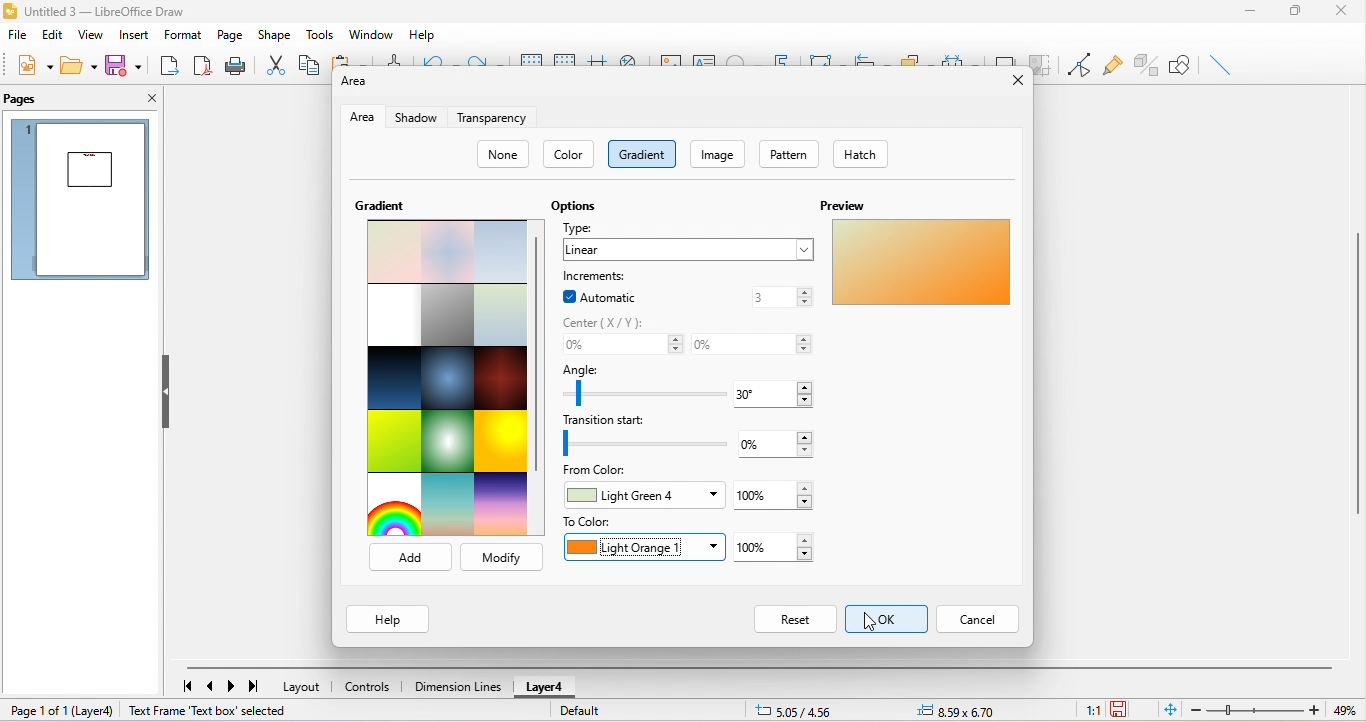  Describe the element at coordinates (888, 620) in the screenshot. I see `select ok` at that location.